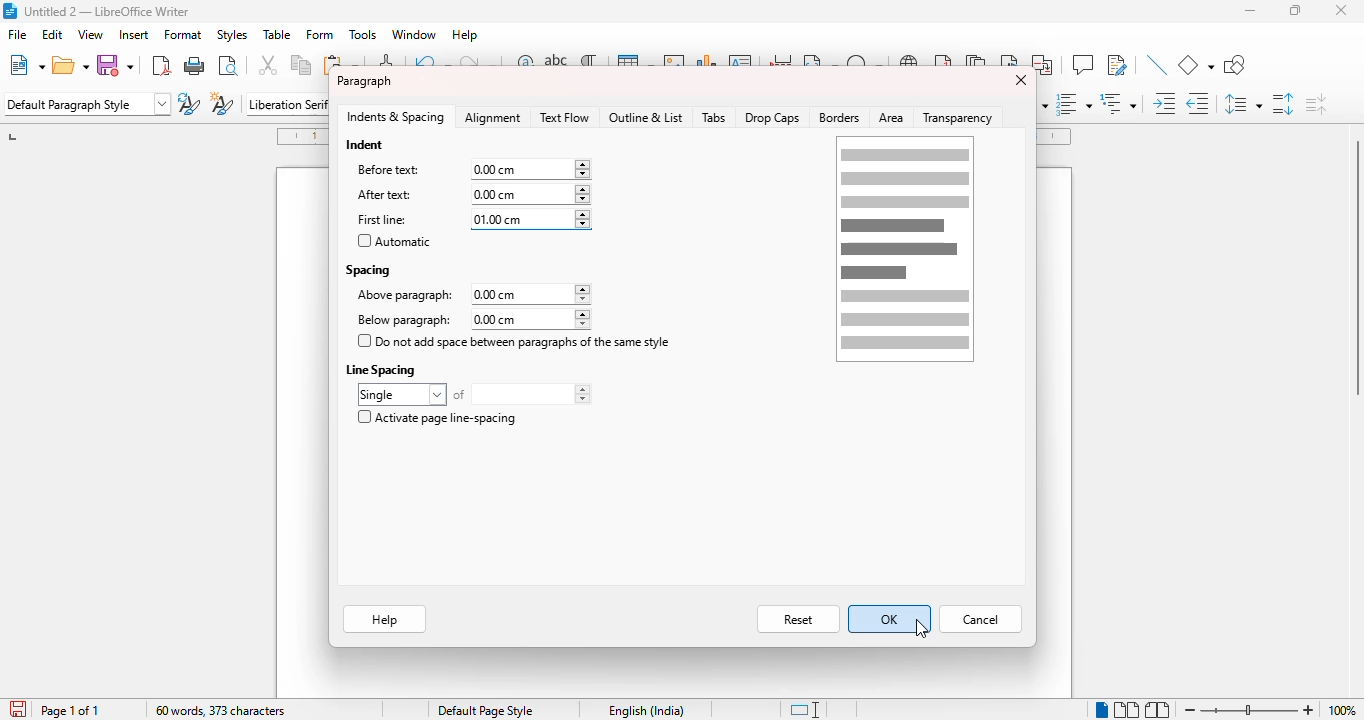  I want to click on zoom out, so click(1190, 710).